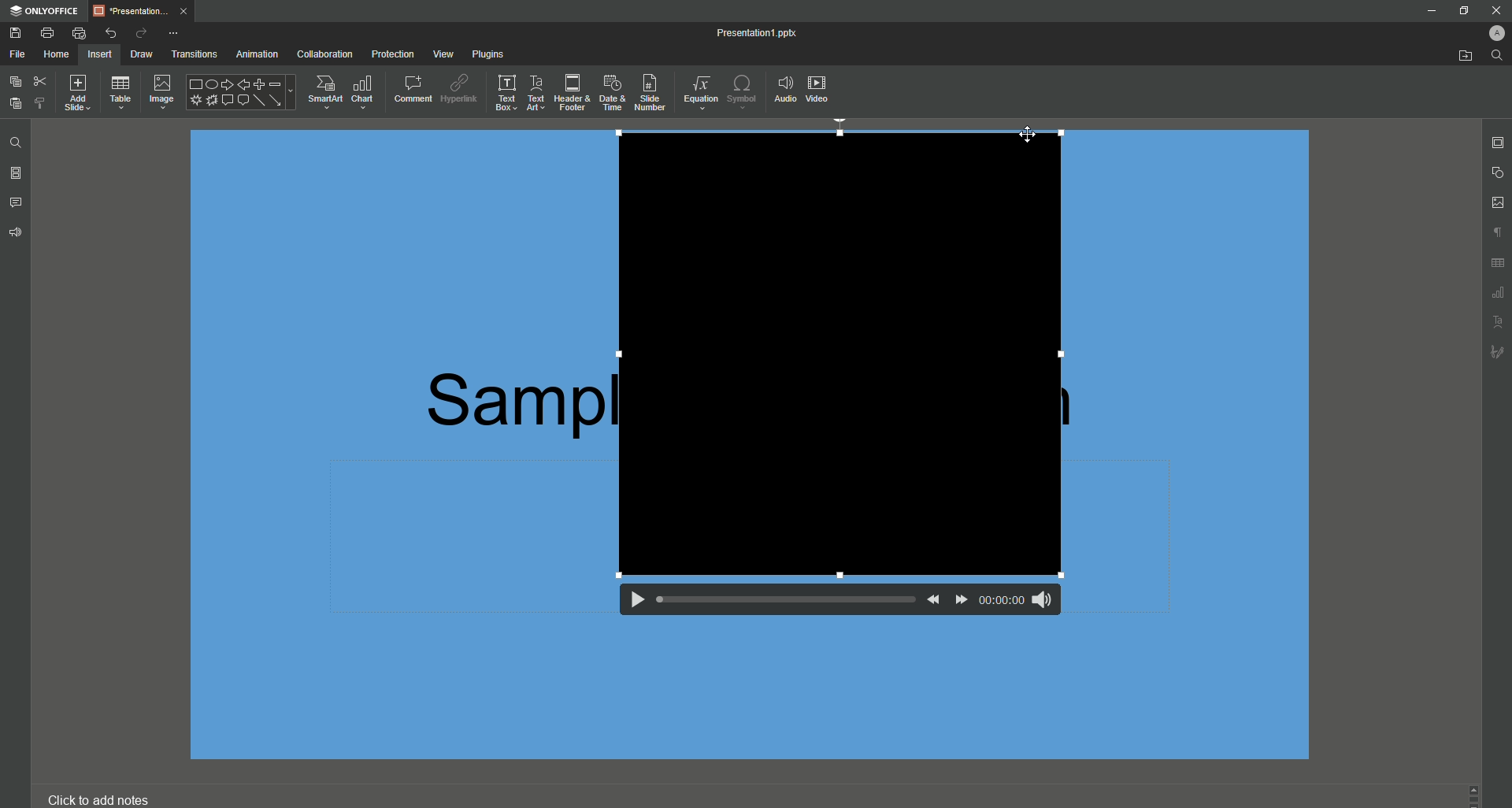  I want to click on Find, so click(1495, 55).